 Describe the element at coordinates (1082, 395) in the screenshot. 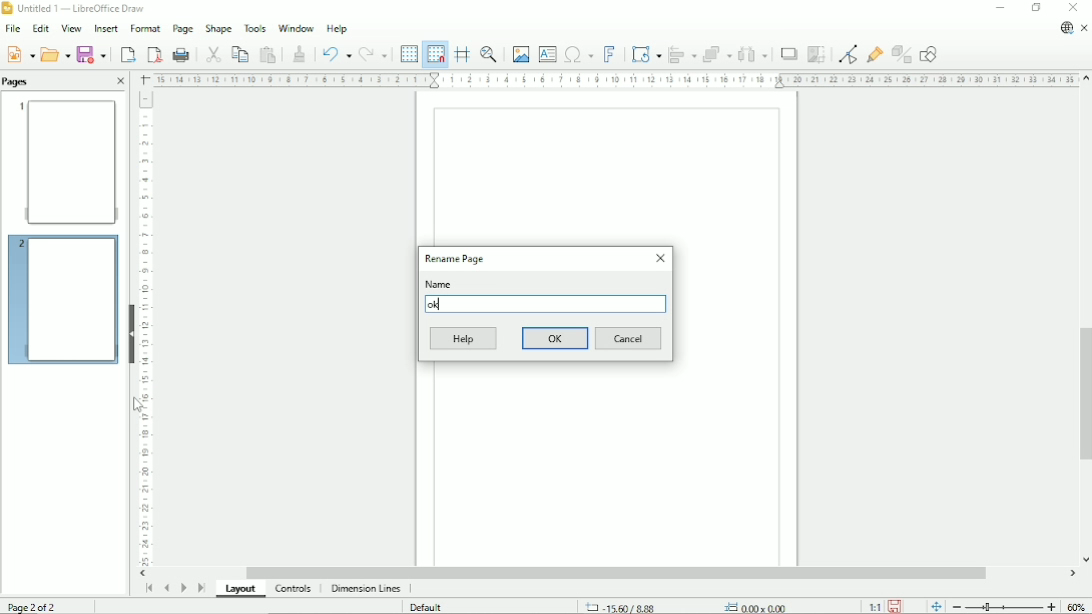

I see `Vertical scrollbar` at that location.